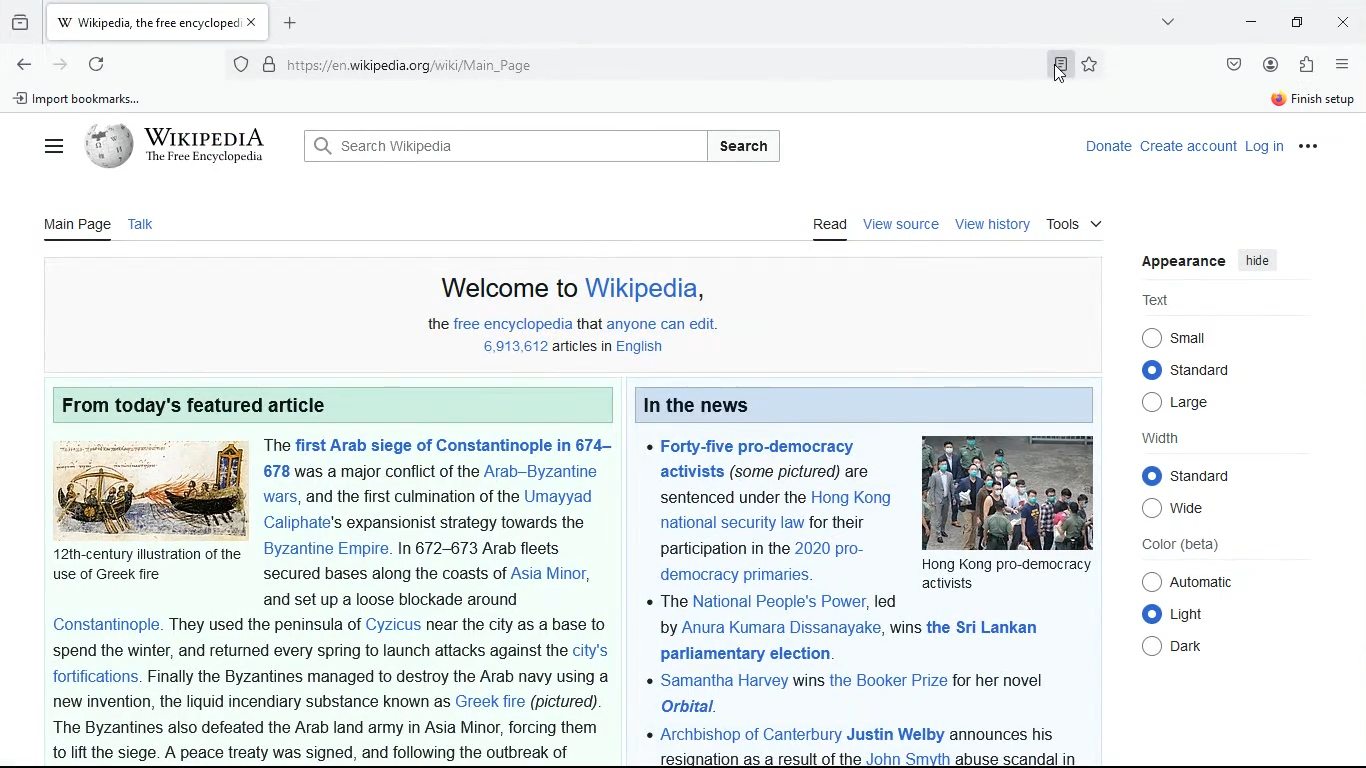  Describe the element at coordinates (550, 144) in the screenshot. I see `donate` at that location.